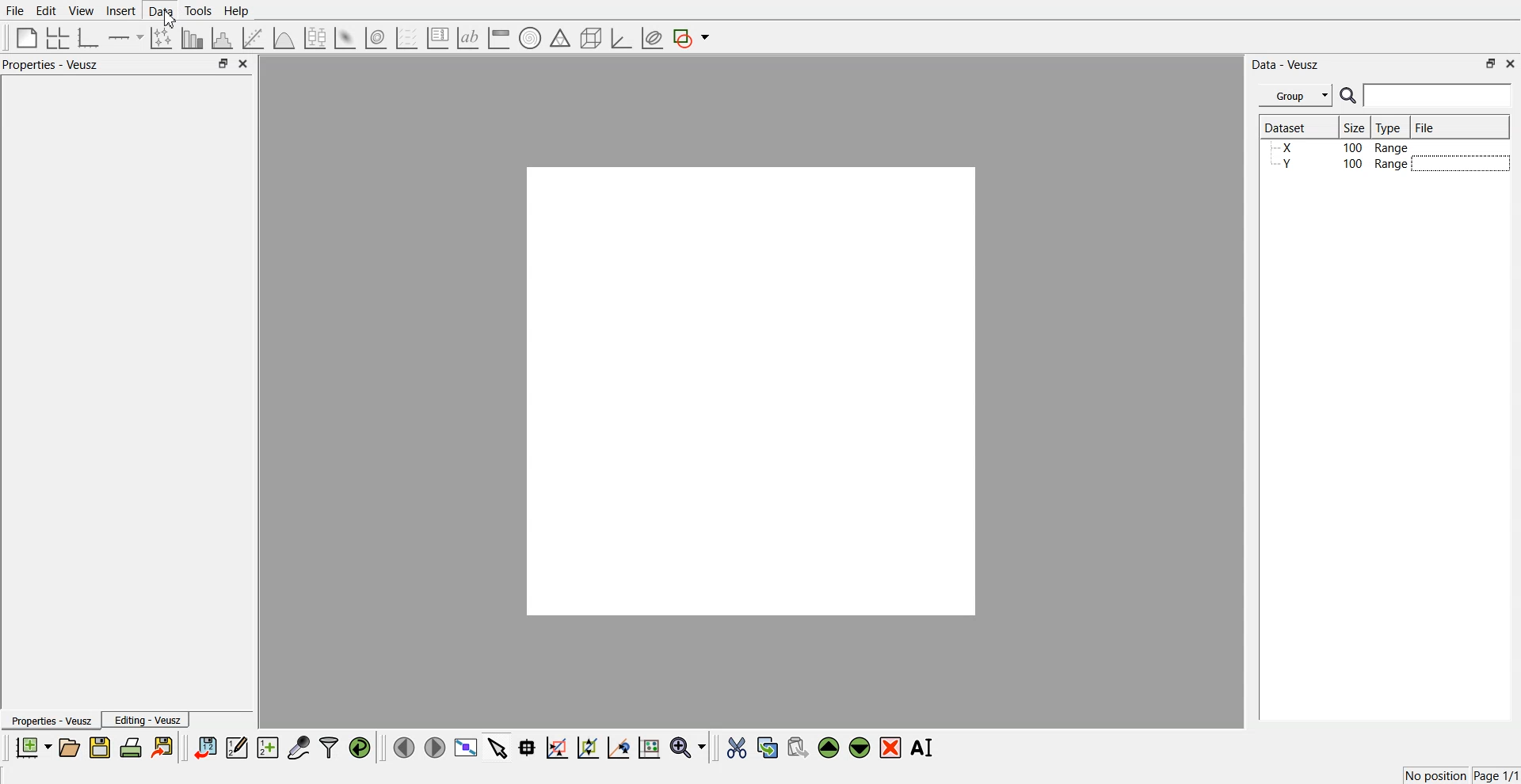 The height and width of the screenshot is (784, 1521). What do you see at coordinates (192, 38) in the screenshot?
I see `Plot bar chart` at bounding box center [192, 38].